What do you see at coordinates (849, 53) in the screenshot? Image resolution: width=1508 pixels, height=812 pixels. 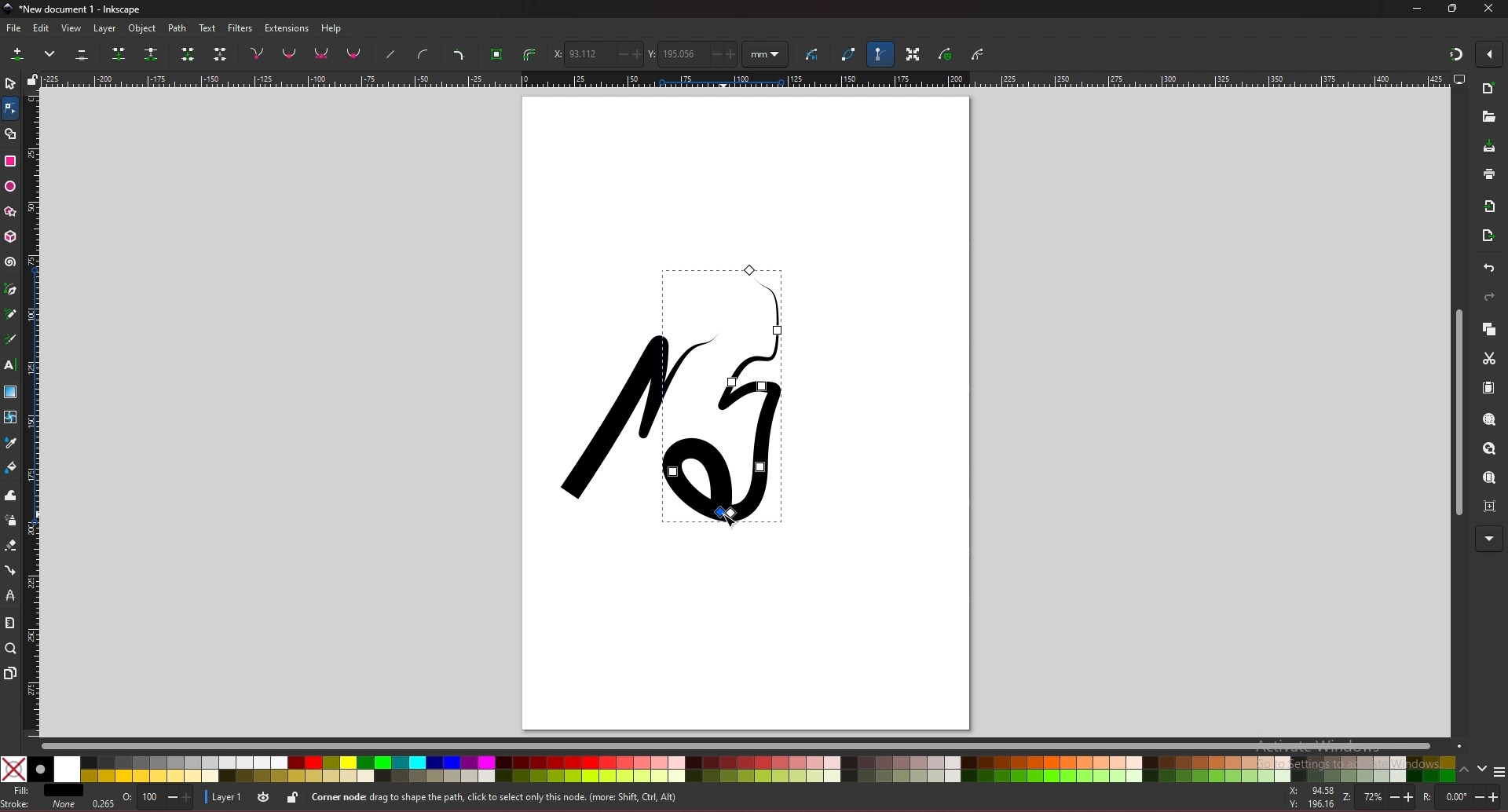 I see `path outline` at bounding box center [849, 53].